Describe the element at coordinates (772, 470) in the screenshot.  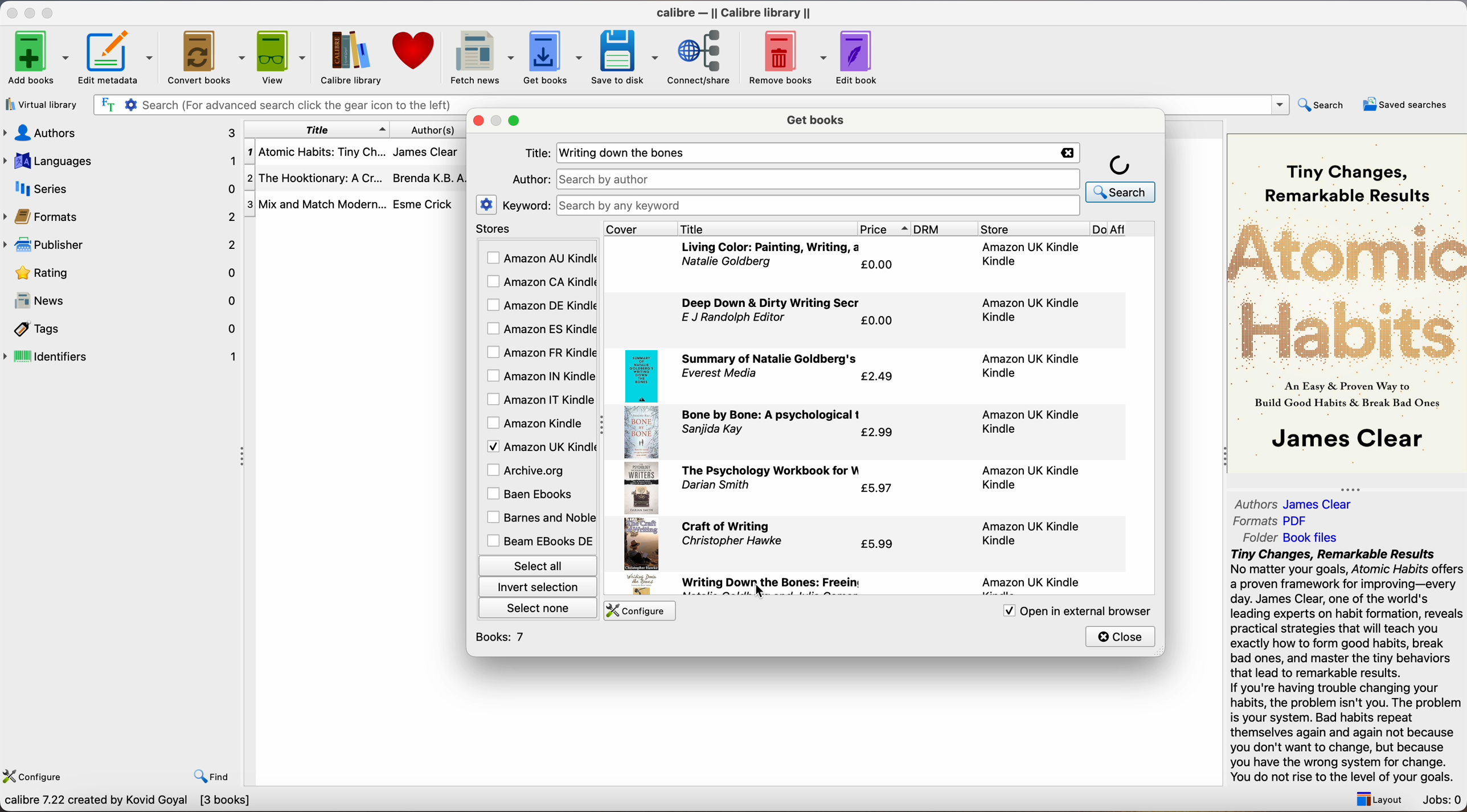
I see `the psychology workbook for` at that location.